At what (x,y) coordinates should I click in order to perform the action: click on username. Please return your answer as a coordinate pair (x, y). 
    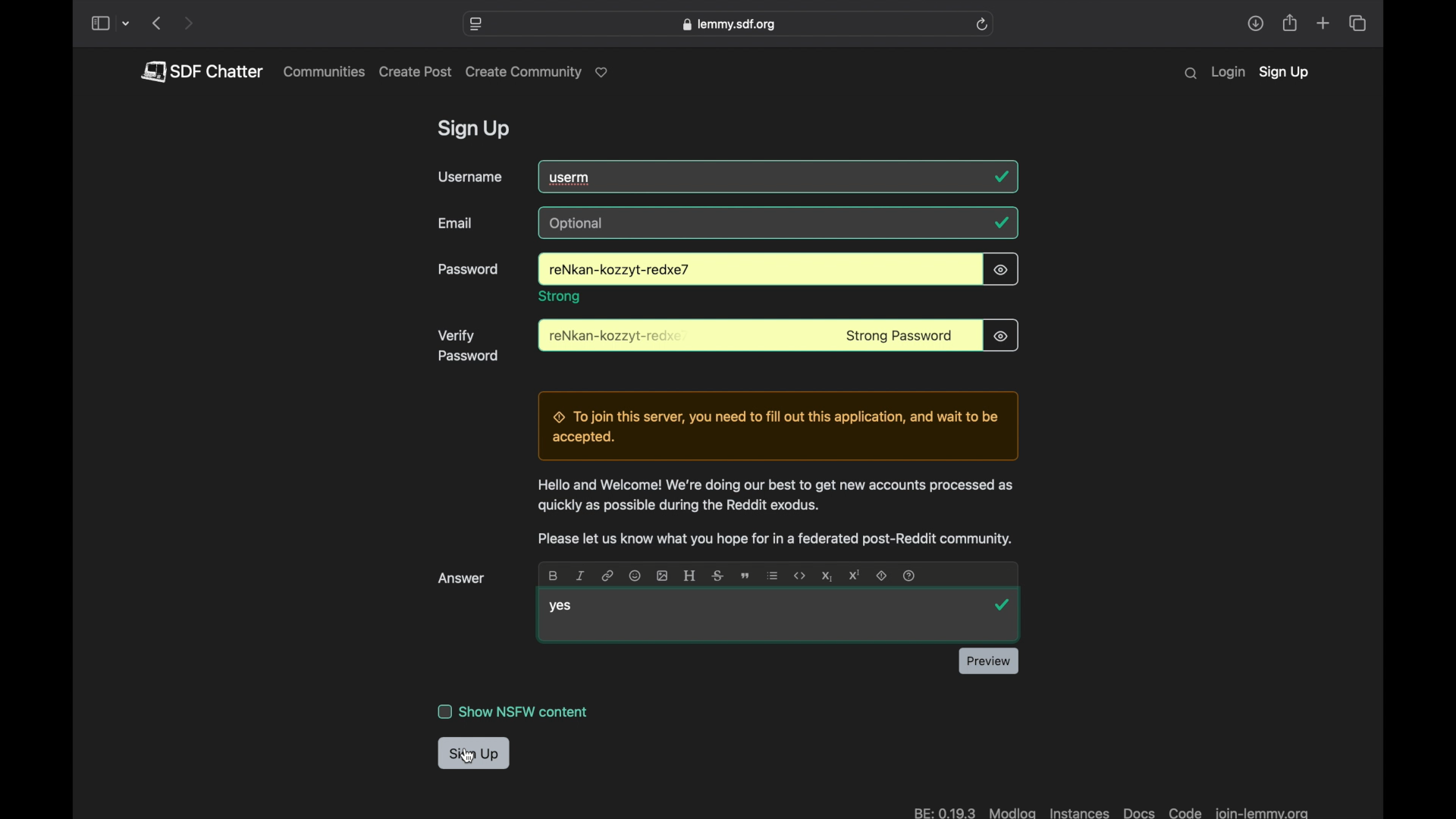
    Looking at the image, I should click on (470, 177).